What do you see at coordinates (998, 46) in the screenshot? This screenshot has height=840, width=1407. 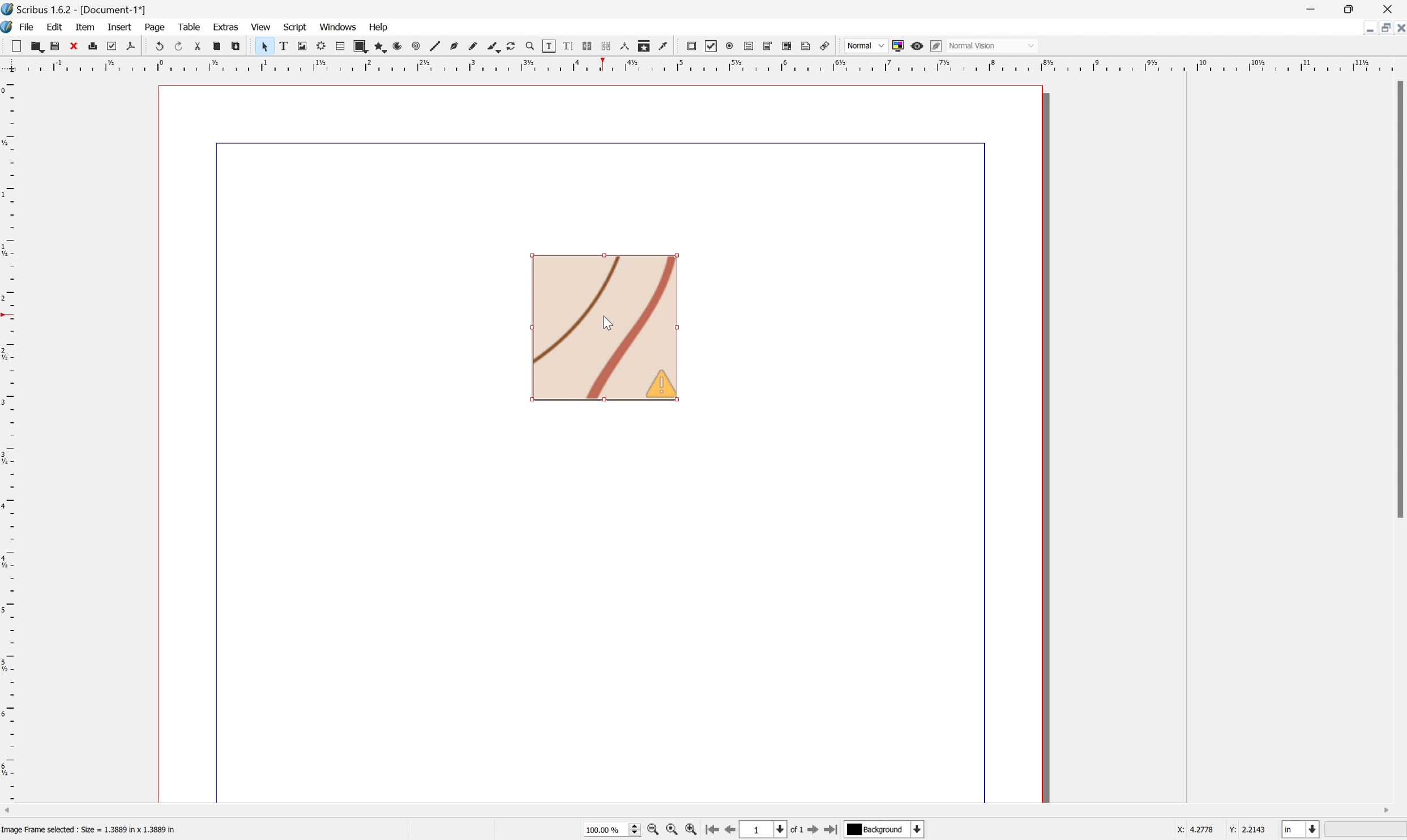 I see `normal vision` at bounding box center [998, 46].